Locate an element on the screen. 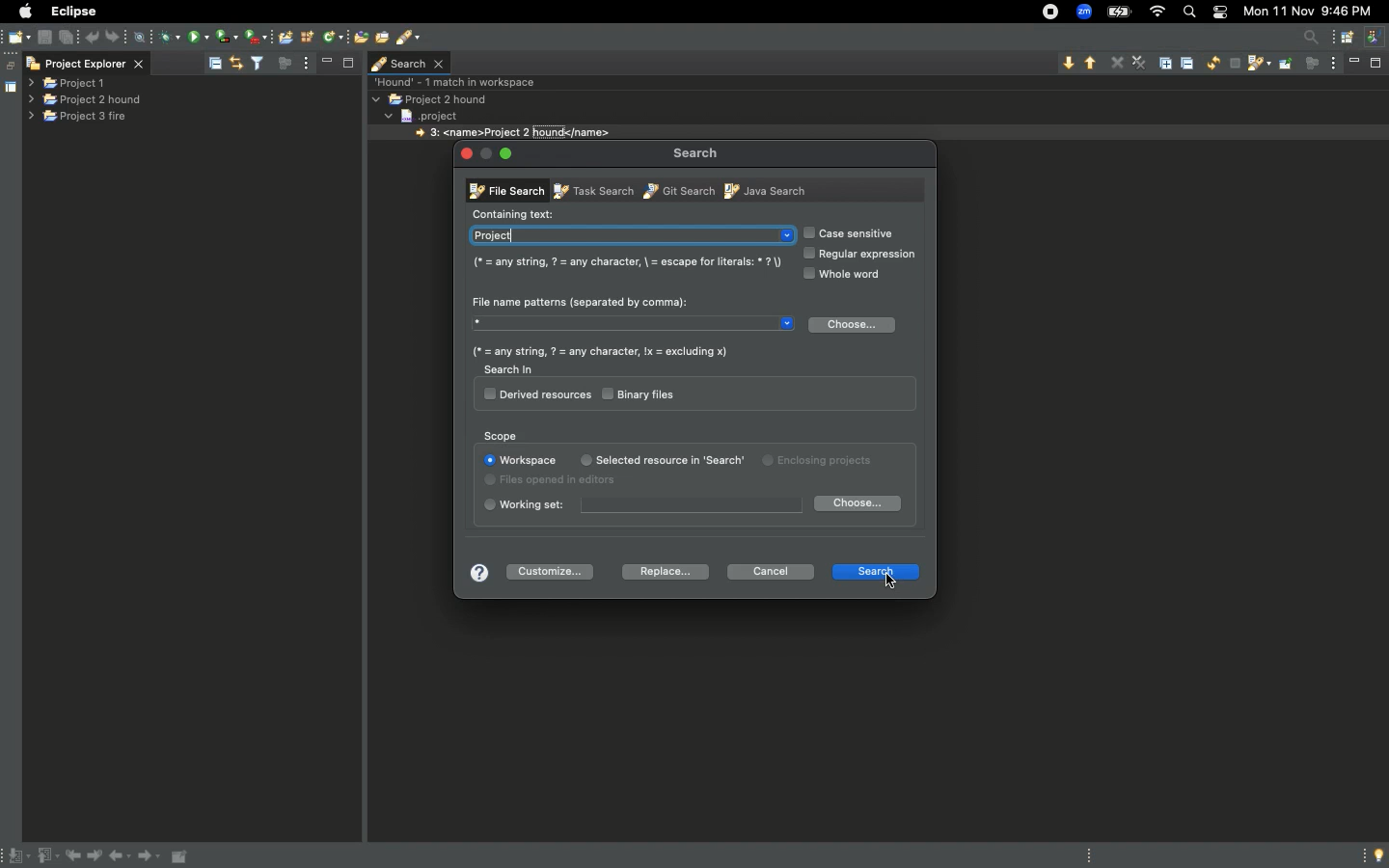 The image size is (1389, 868). Search in is located at coordinates (508, 369).